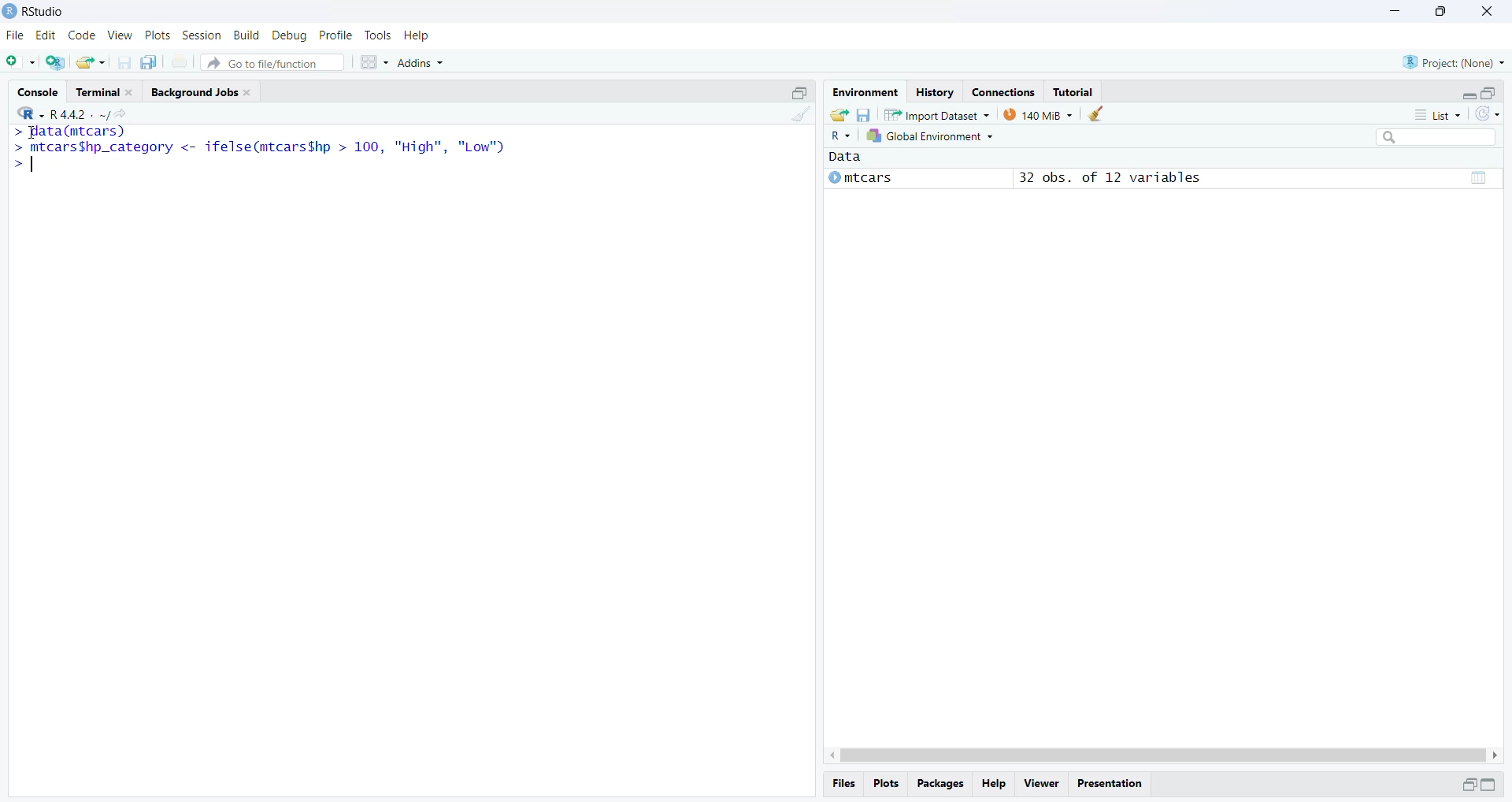 Image resolution: width=1512 pixels, height=802 pixels. What do you see at coordinates (425, 59) in the screenshot?
I see `Addins` at bounding box center [425, 59].